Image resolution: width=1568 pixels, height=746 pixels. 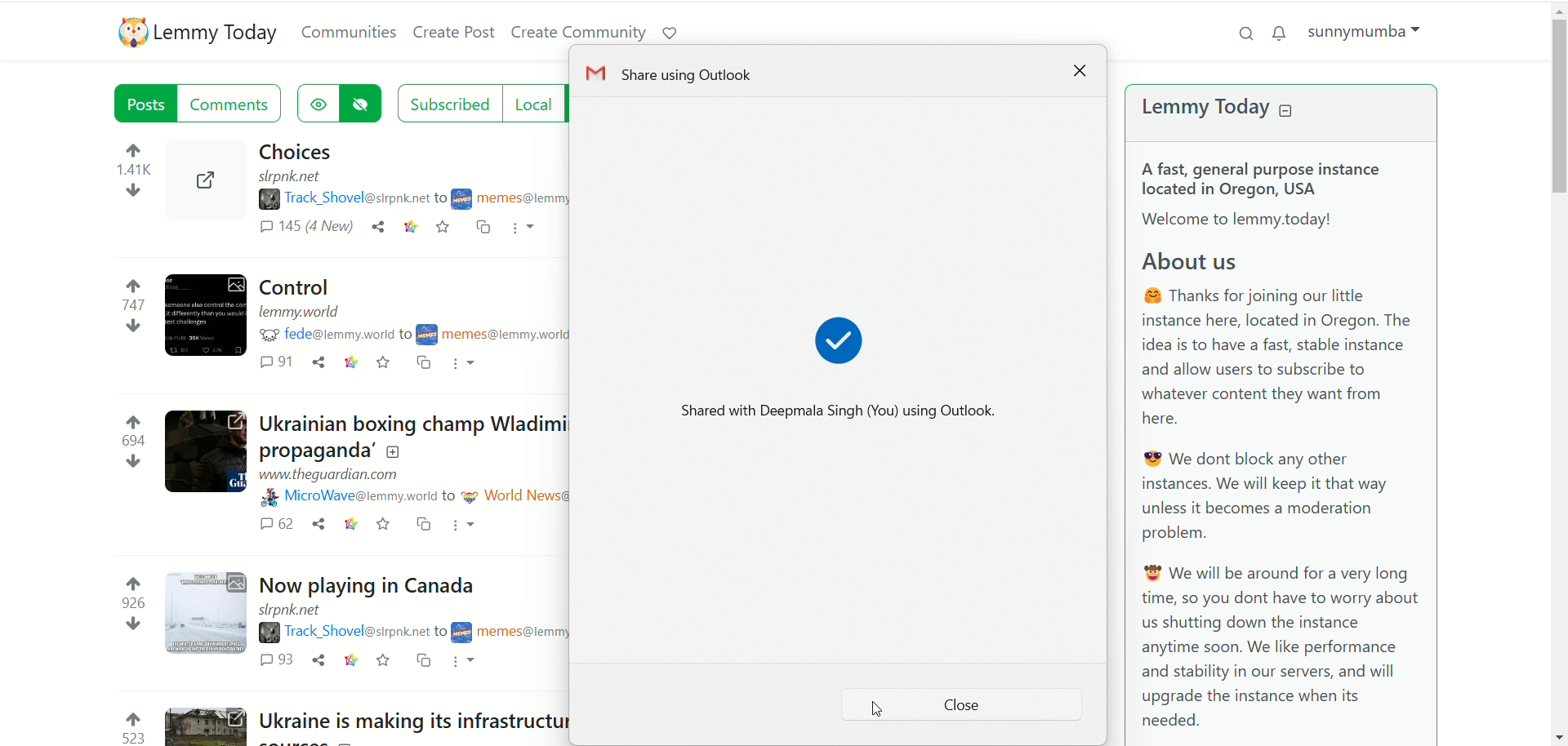 What do you see at coordinates (279, 661) in the screenshot?
I see `comments` at bounding box center [279, 661].